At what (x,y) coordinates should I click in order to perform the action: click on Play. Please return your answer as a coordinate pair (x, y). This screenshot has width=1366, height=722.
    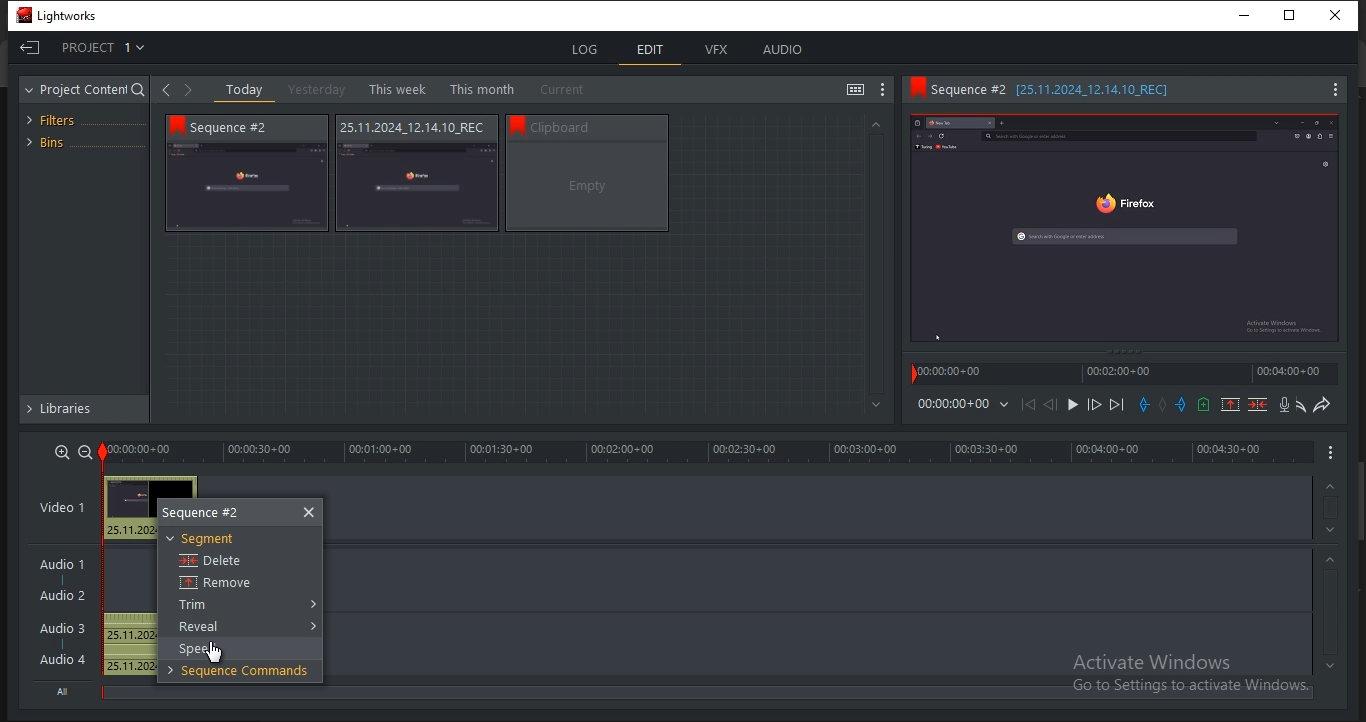
    Looking at the image, I should click on (1072, 406).